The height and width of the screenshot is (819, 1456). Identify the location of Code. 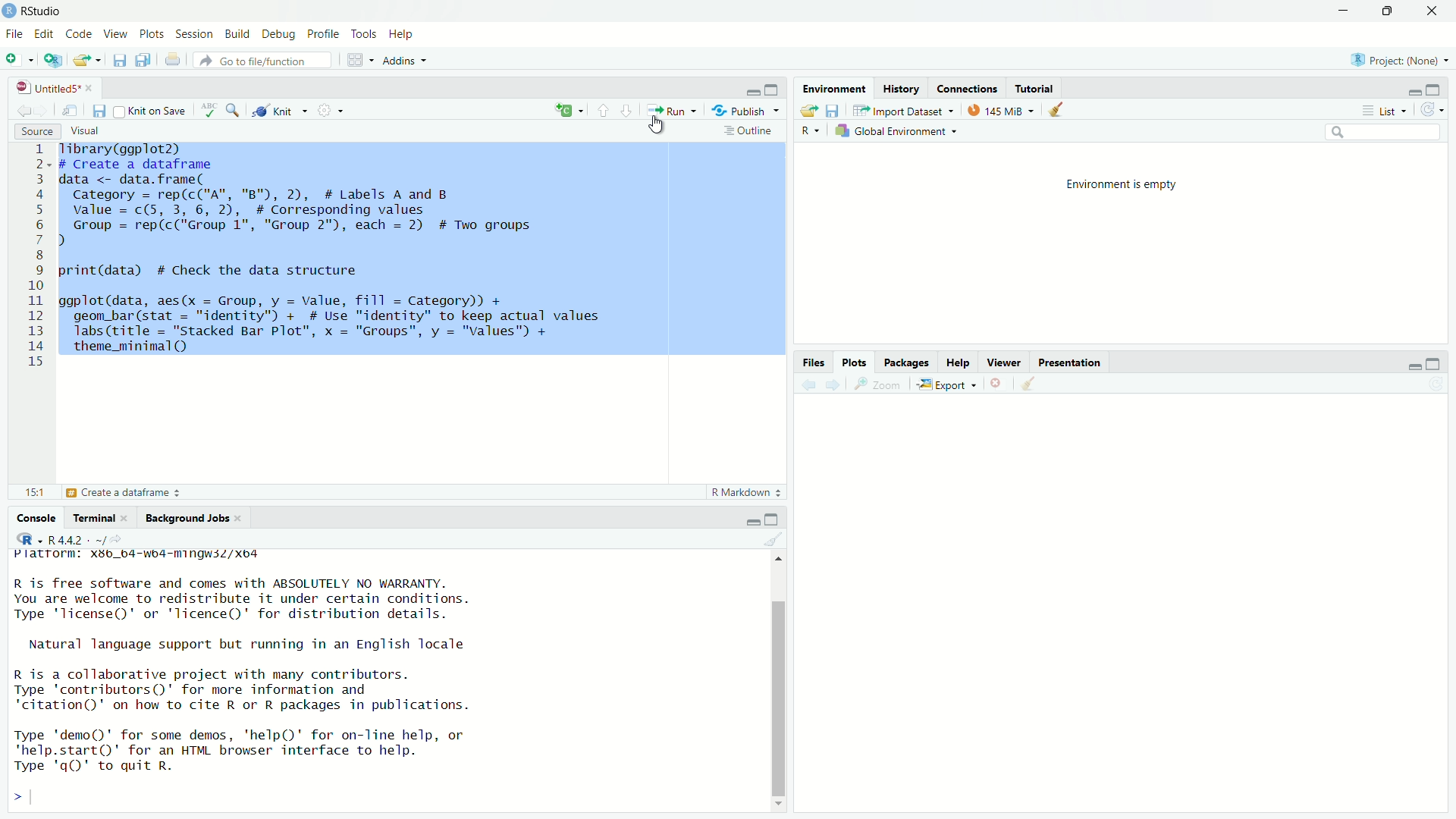
(80, 33).